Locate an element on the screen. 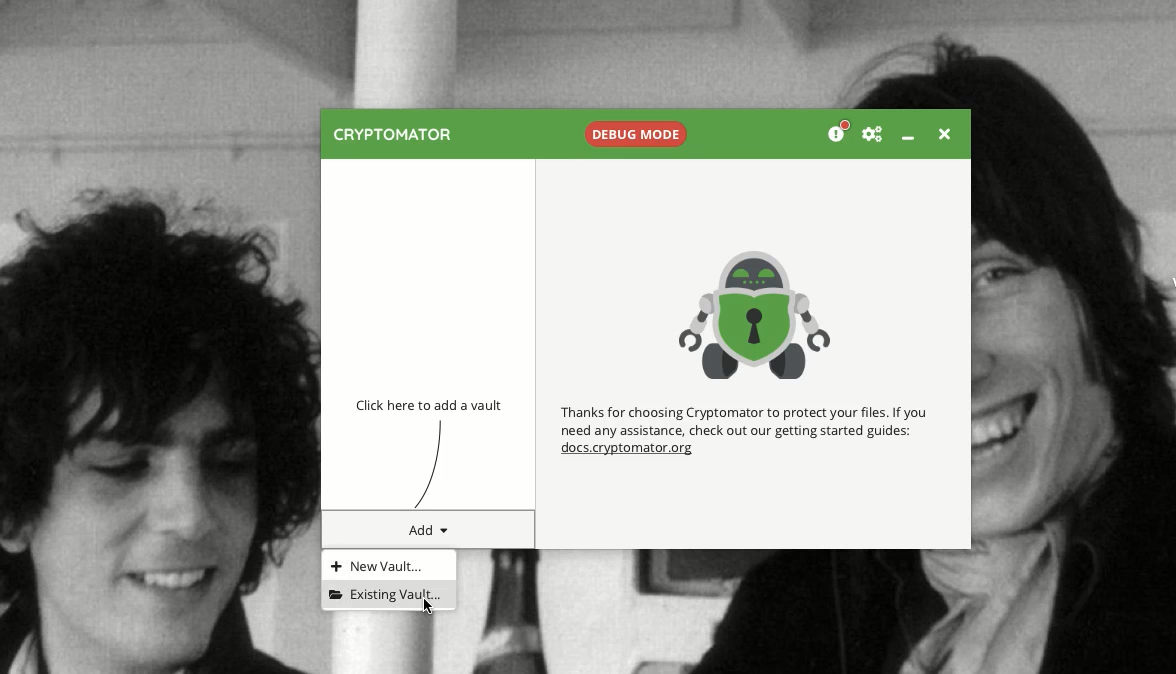  Click here to add a vault is located at coordinates (434, 406).